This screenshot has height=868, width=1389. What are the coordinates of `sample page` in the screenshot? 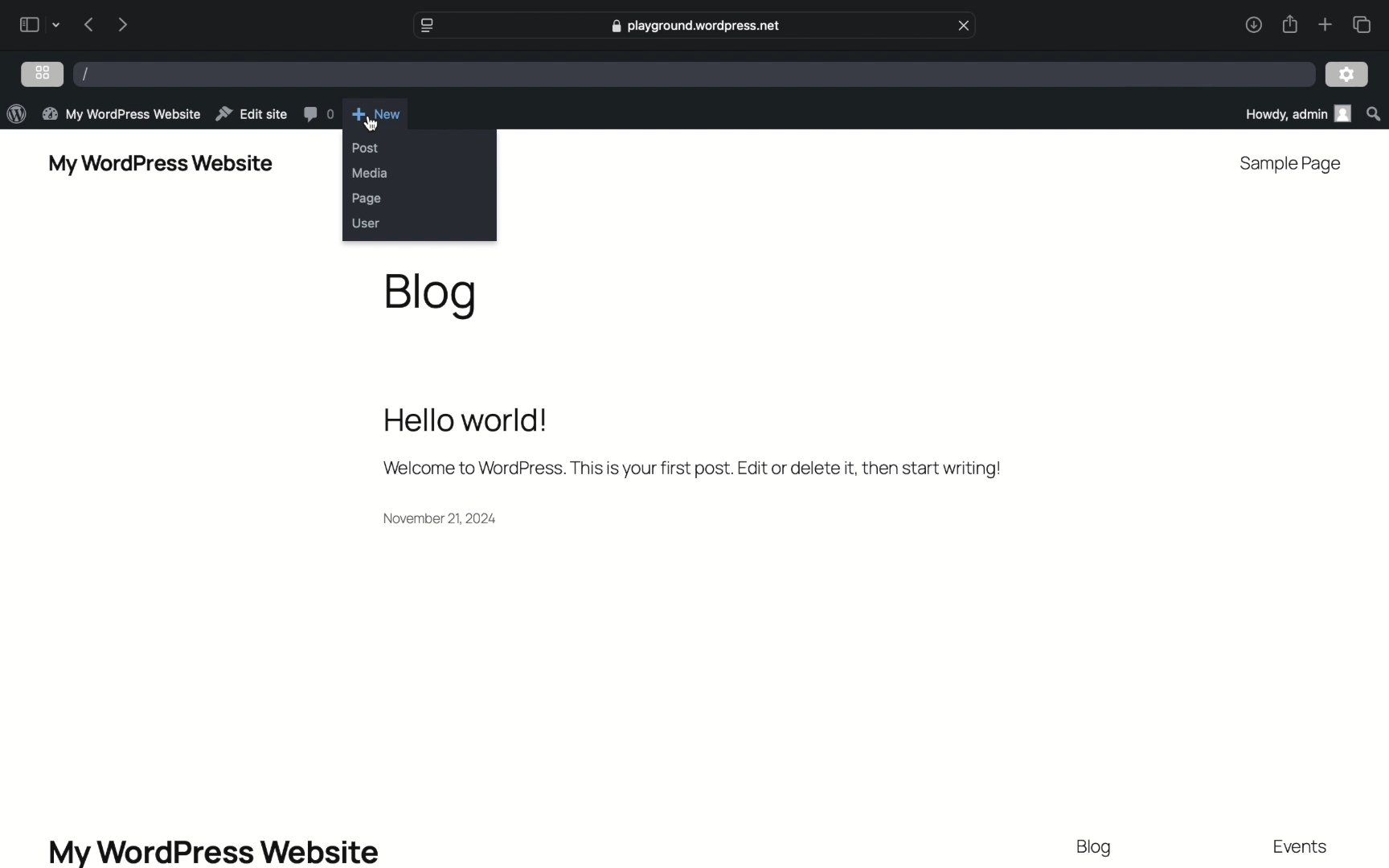 It's located at (1293, 165).